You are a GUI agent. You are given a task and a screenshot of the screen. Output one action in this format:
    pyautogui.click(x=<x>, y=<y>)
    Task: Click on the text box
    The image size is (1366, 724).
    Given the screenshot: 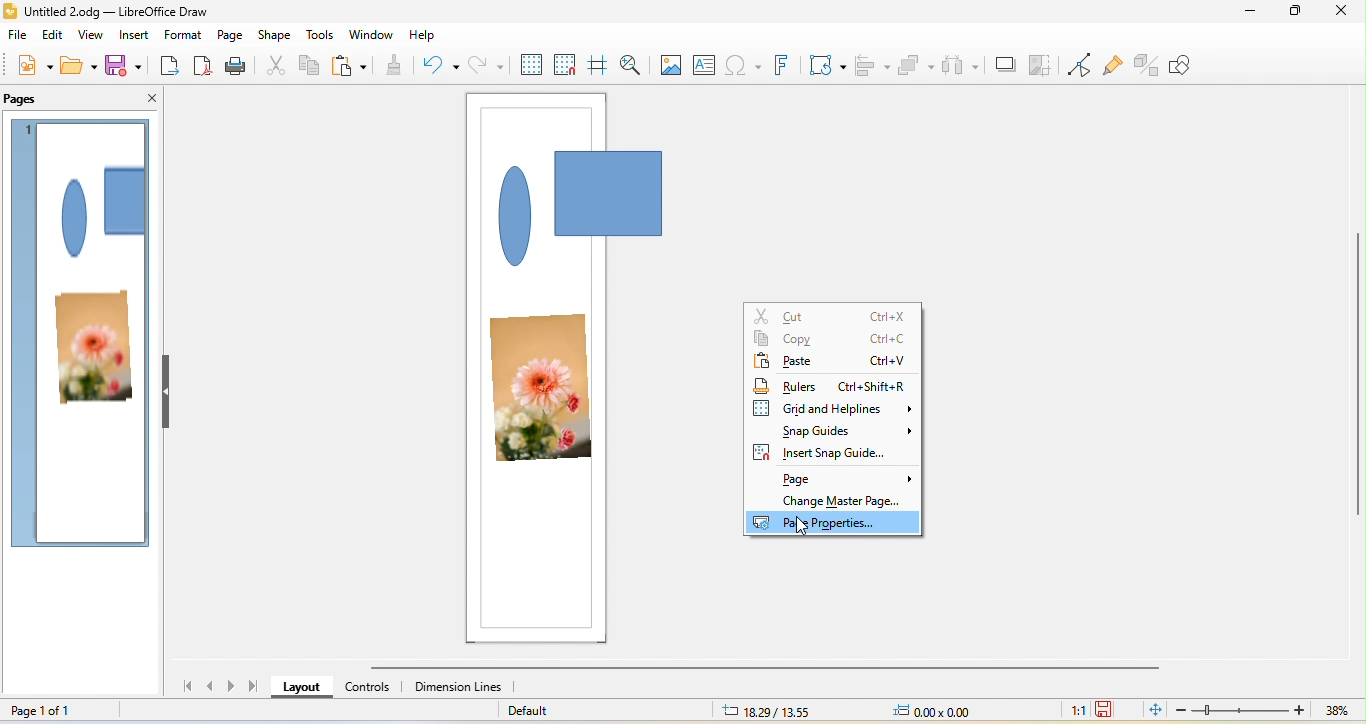 What is the action you would take?
    pyautogui.click(x=707, y=66)
    